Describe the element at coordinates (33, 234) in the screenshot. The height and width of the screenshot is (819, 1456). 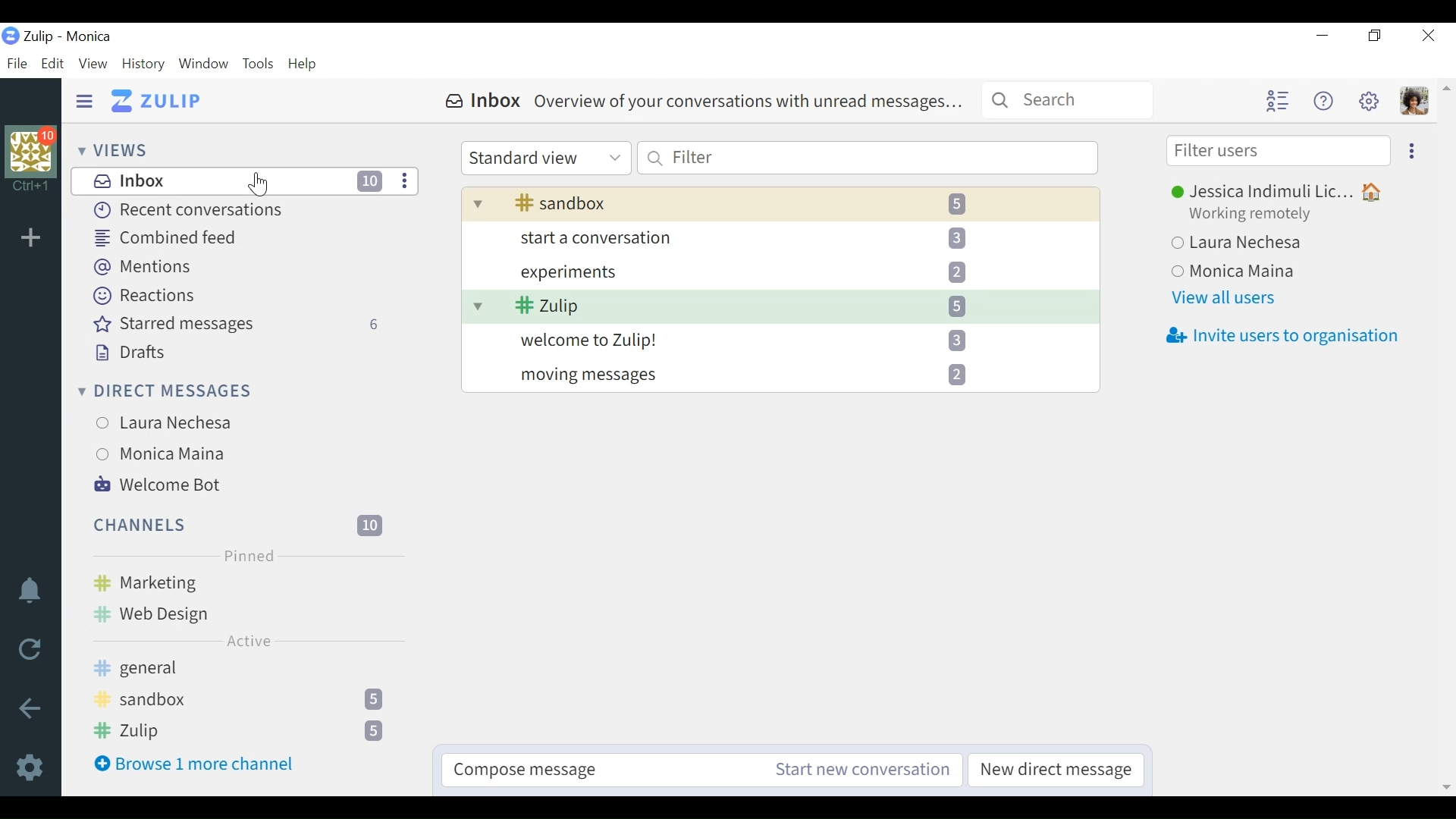
I see `Add organisation` at that location.